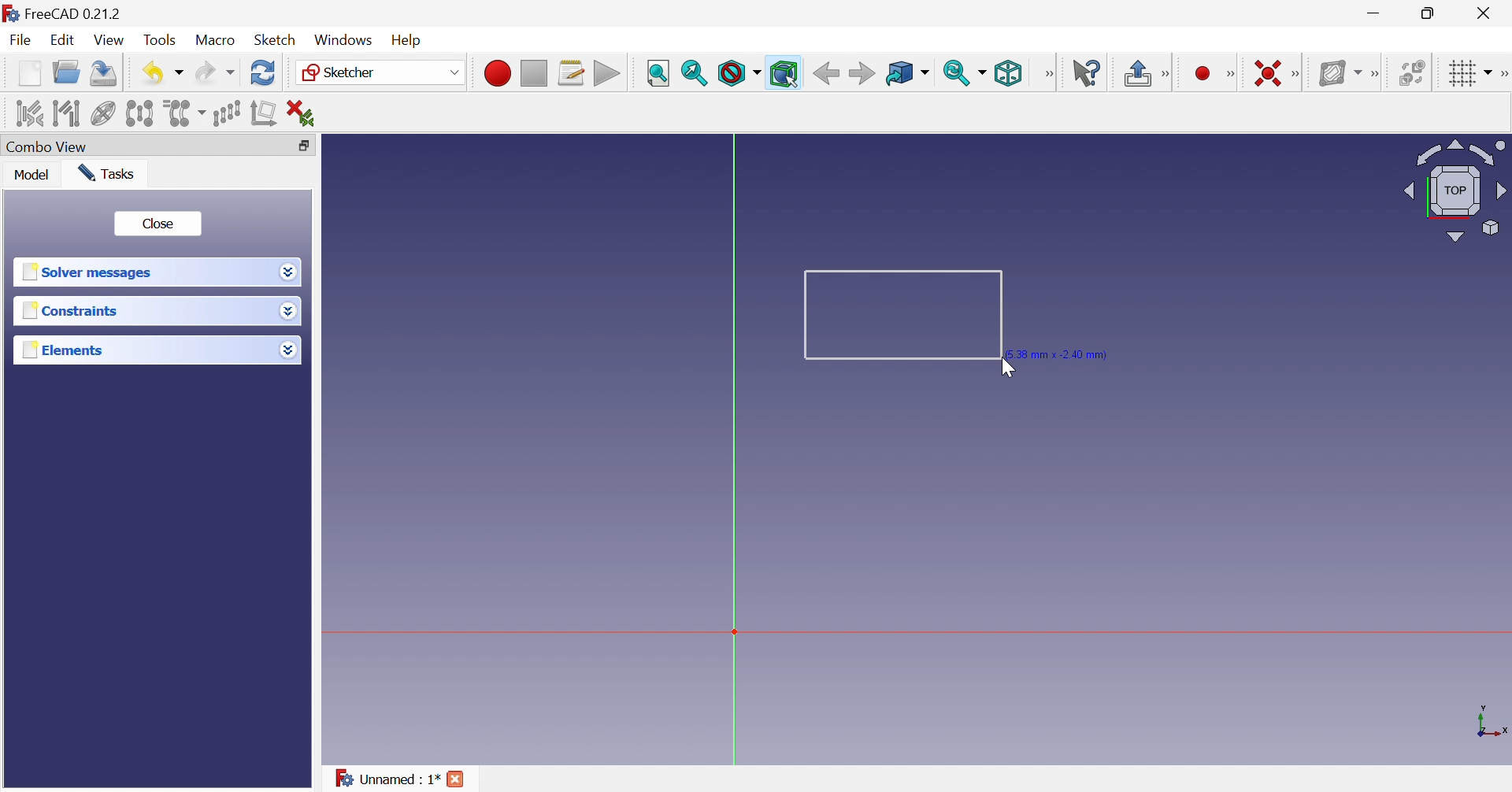 This screenshot has height=792, width=1512. I want to click on Delete all constraints, so click(301, 113).